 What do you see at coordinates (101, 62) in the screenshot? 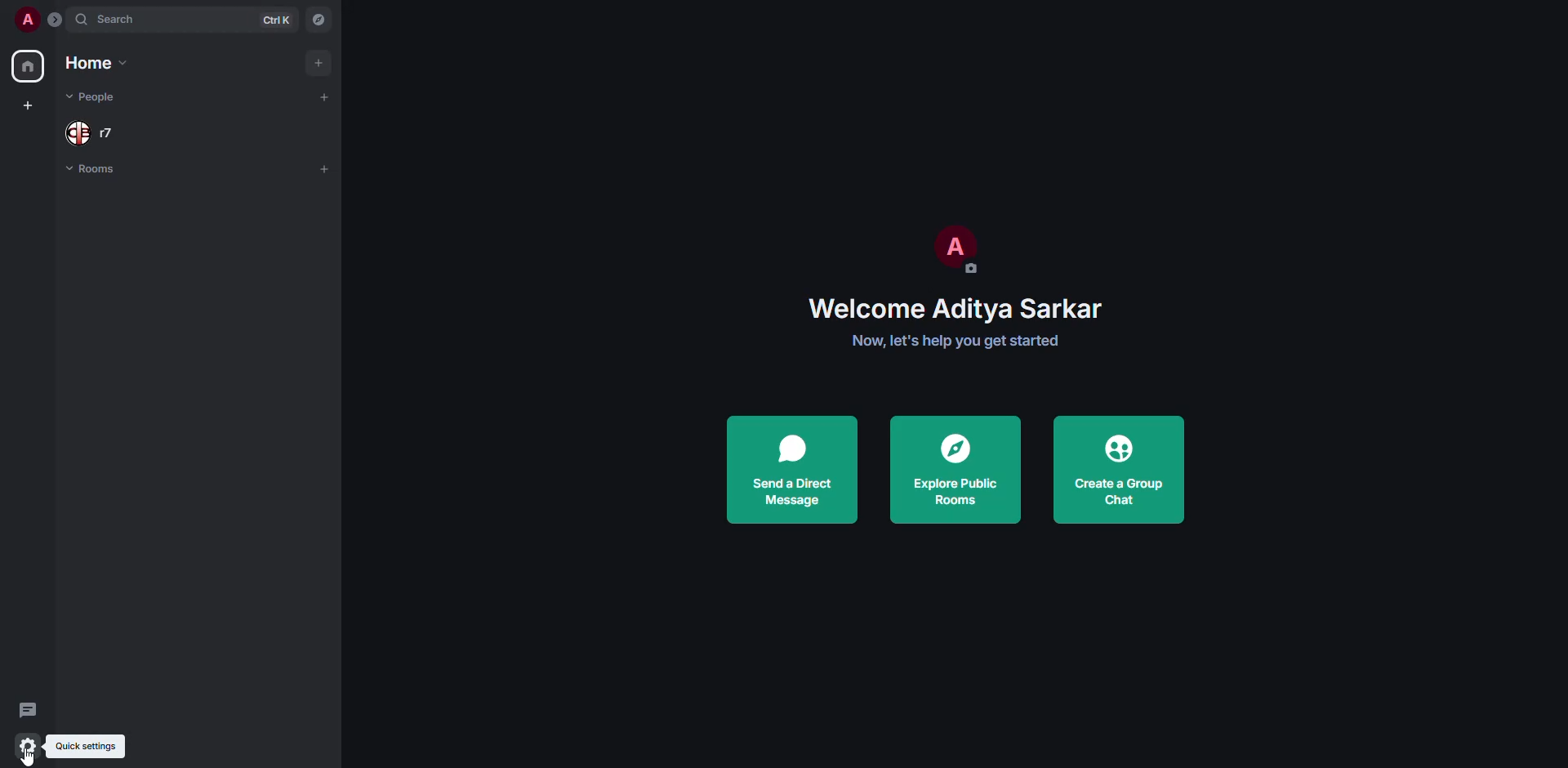
I see `home` at bounding box center [101, 62].